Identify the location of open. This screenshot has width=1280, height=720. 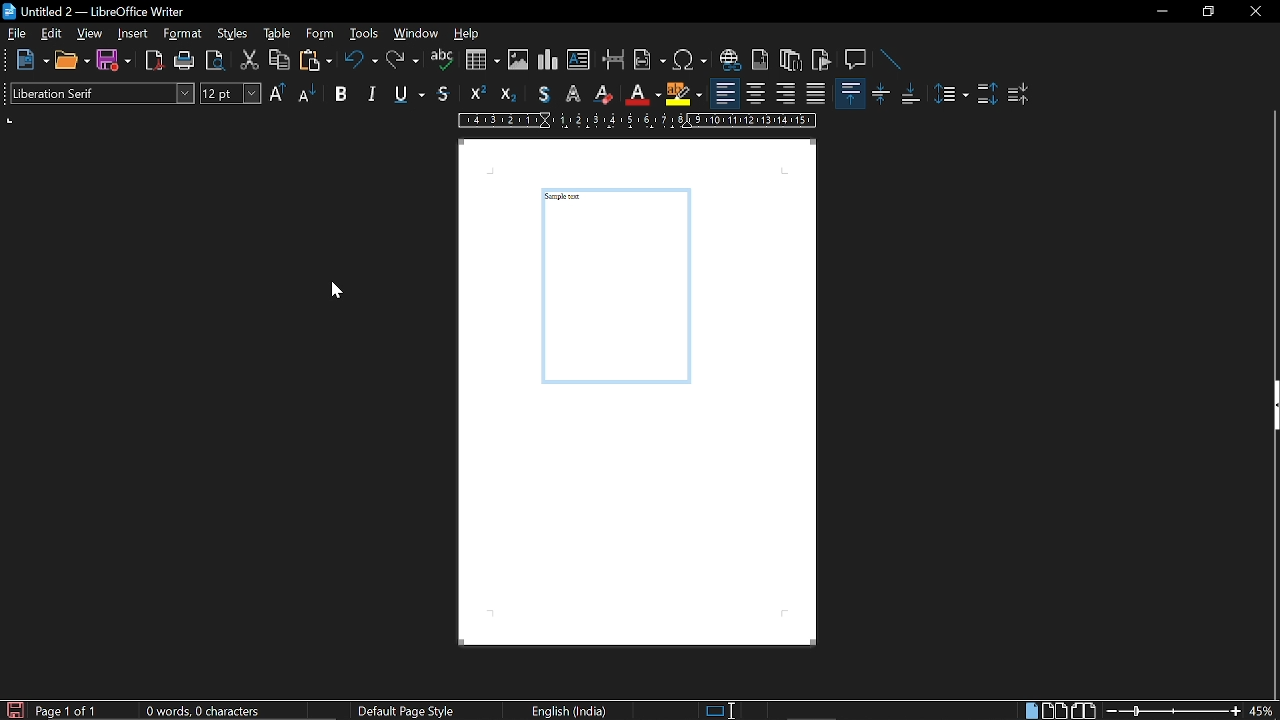
(72, 61).